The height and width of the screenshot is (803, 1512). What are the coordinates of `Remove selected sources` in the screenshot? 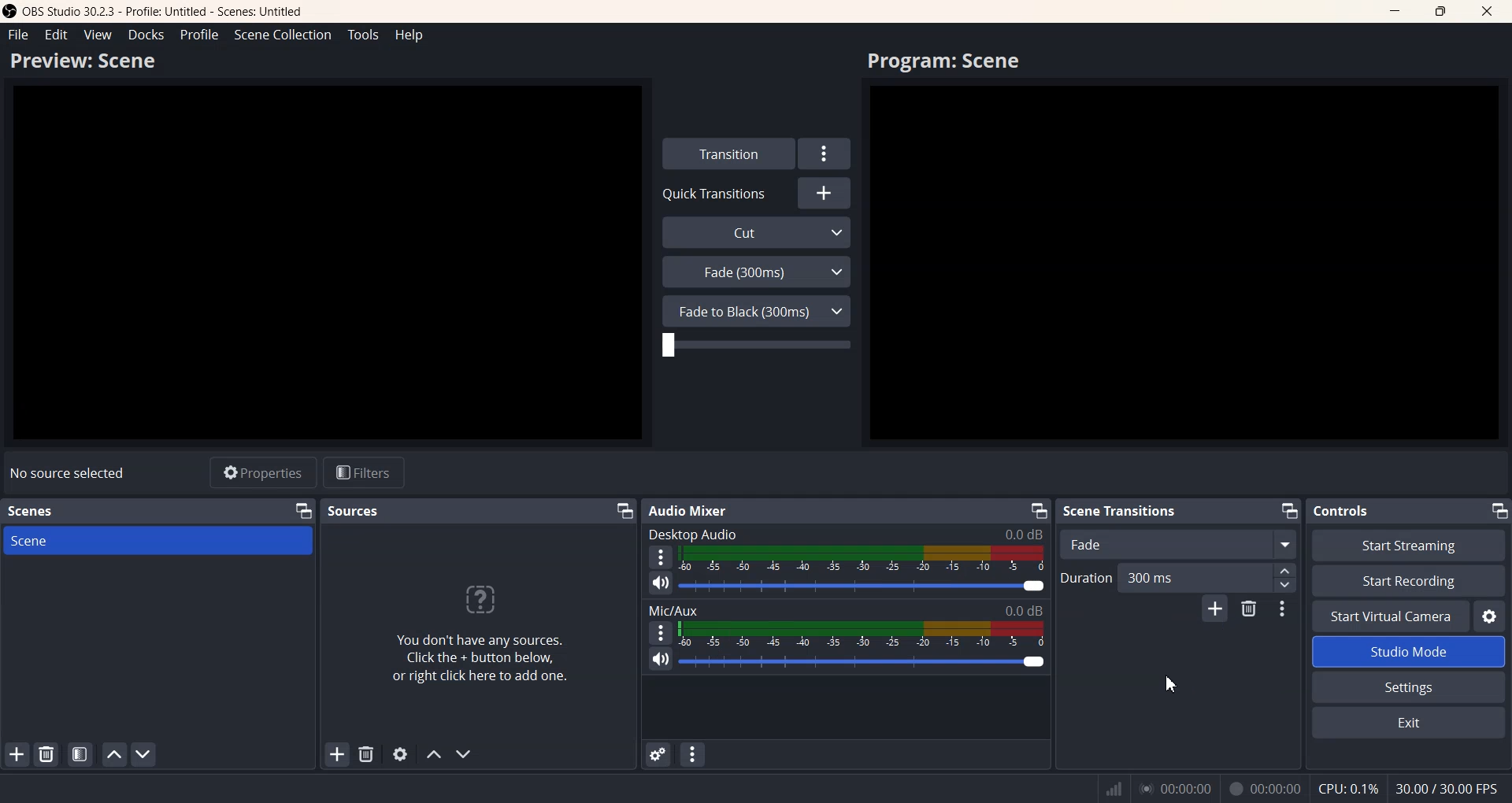 It's located at (368, 755).